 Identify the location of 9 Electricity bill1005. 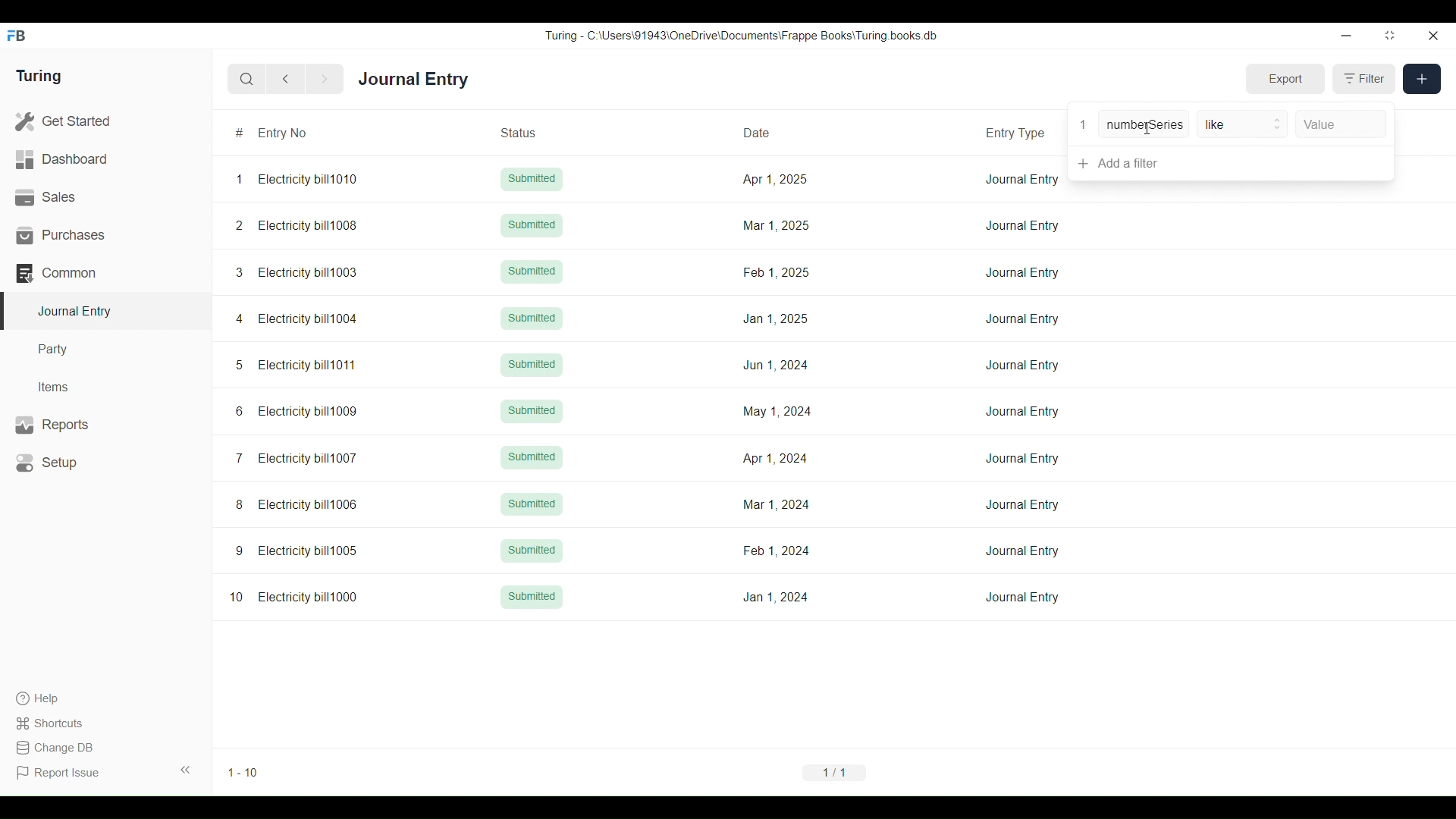
(297, 551).